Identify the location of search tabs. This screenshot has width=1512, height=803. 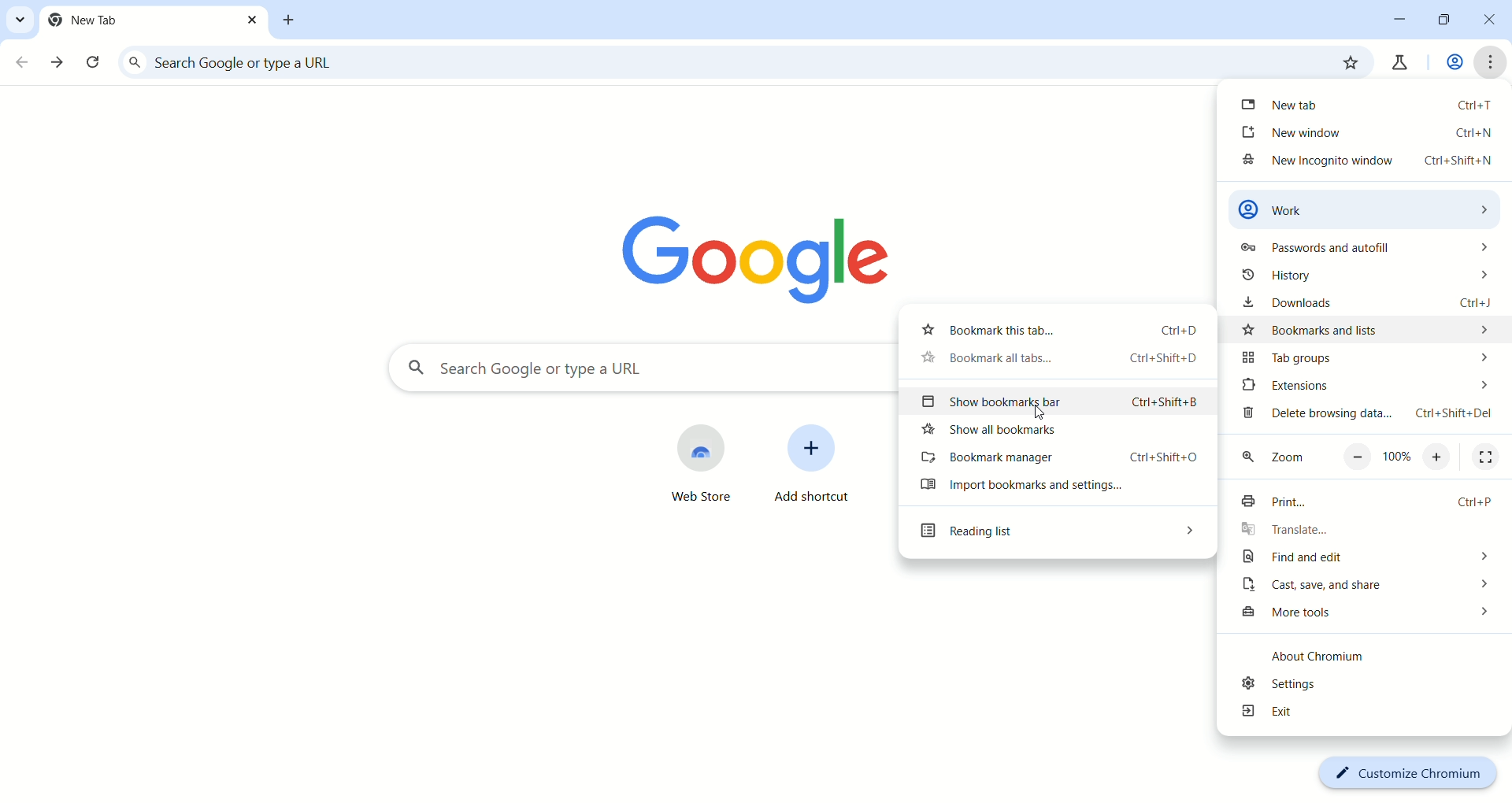
(18, 19).